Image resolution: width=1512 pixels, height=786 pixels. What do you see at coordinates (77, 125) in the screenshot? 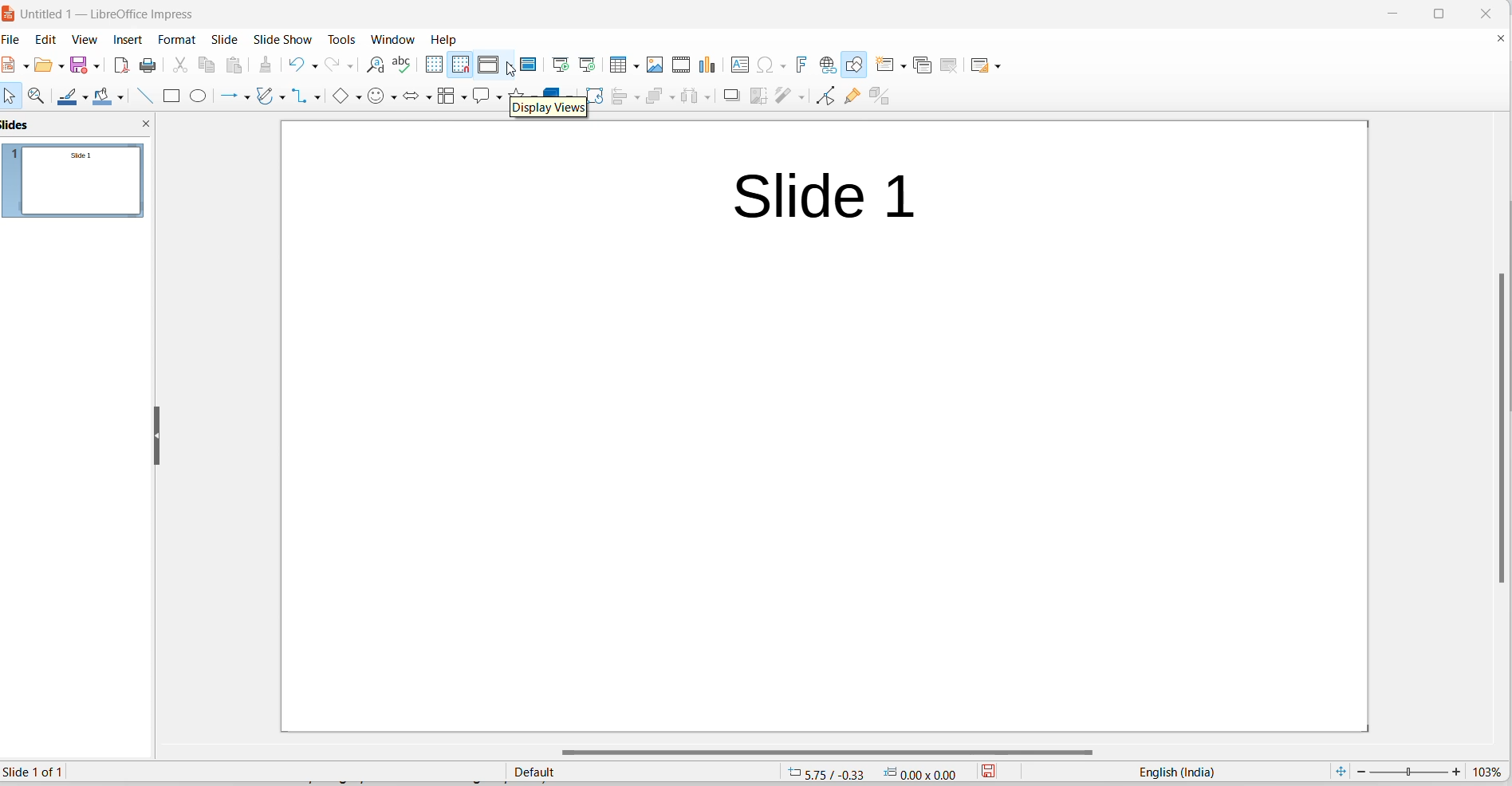
I see `slides and close slideview` at bounding box center [77, 125].